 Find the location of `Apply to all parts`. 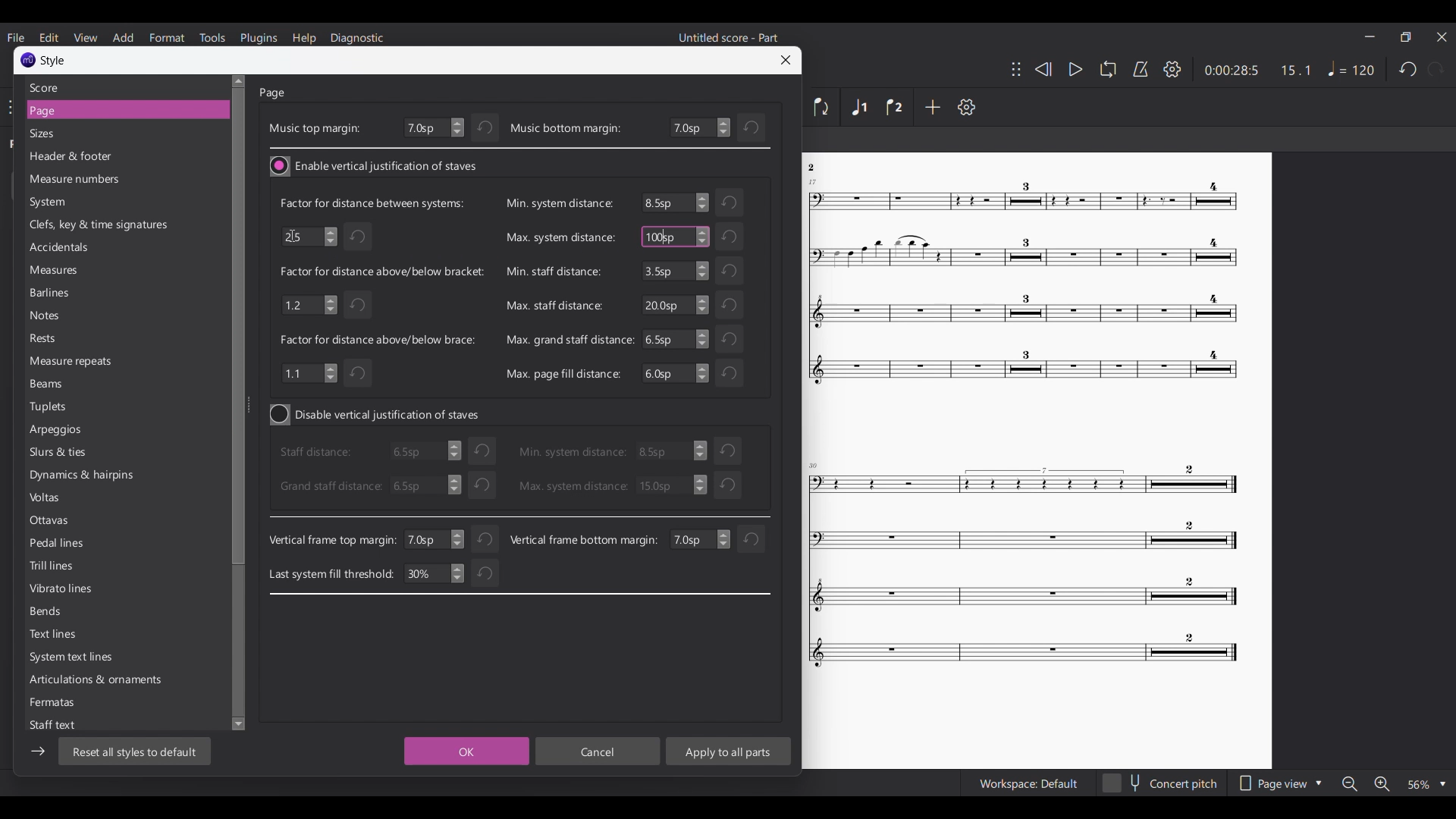

Apply to all parts is located at coordinates (728, 751).